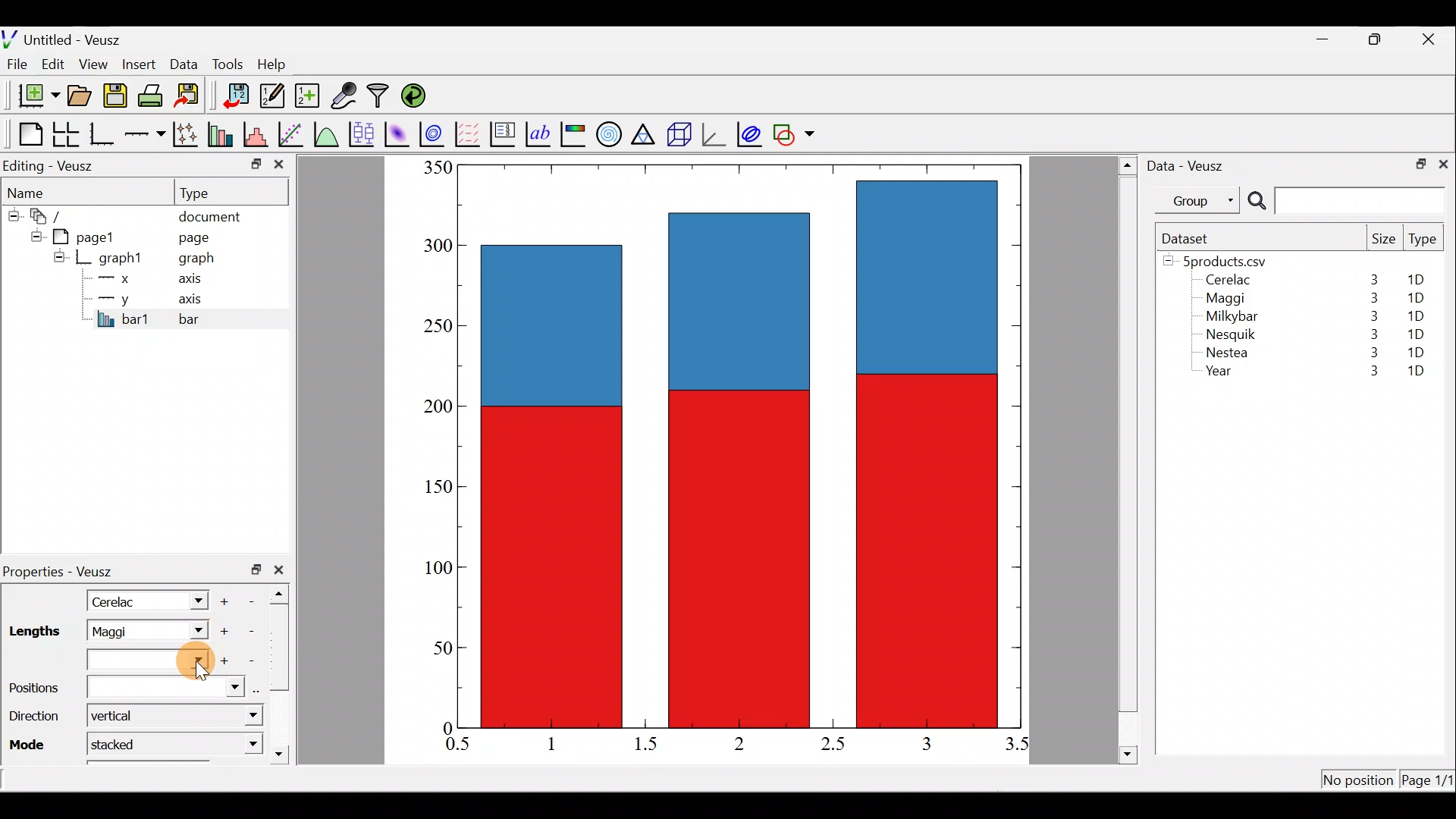 The width and height of the screenshot is (1456, 819). I want to click on Create new dataset using ranges, parametrically, or as functions of existing datasets., so click(309, 96).